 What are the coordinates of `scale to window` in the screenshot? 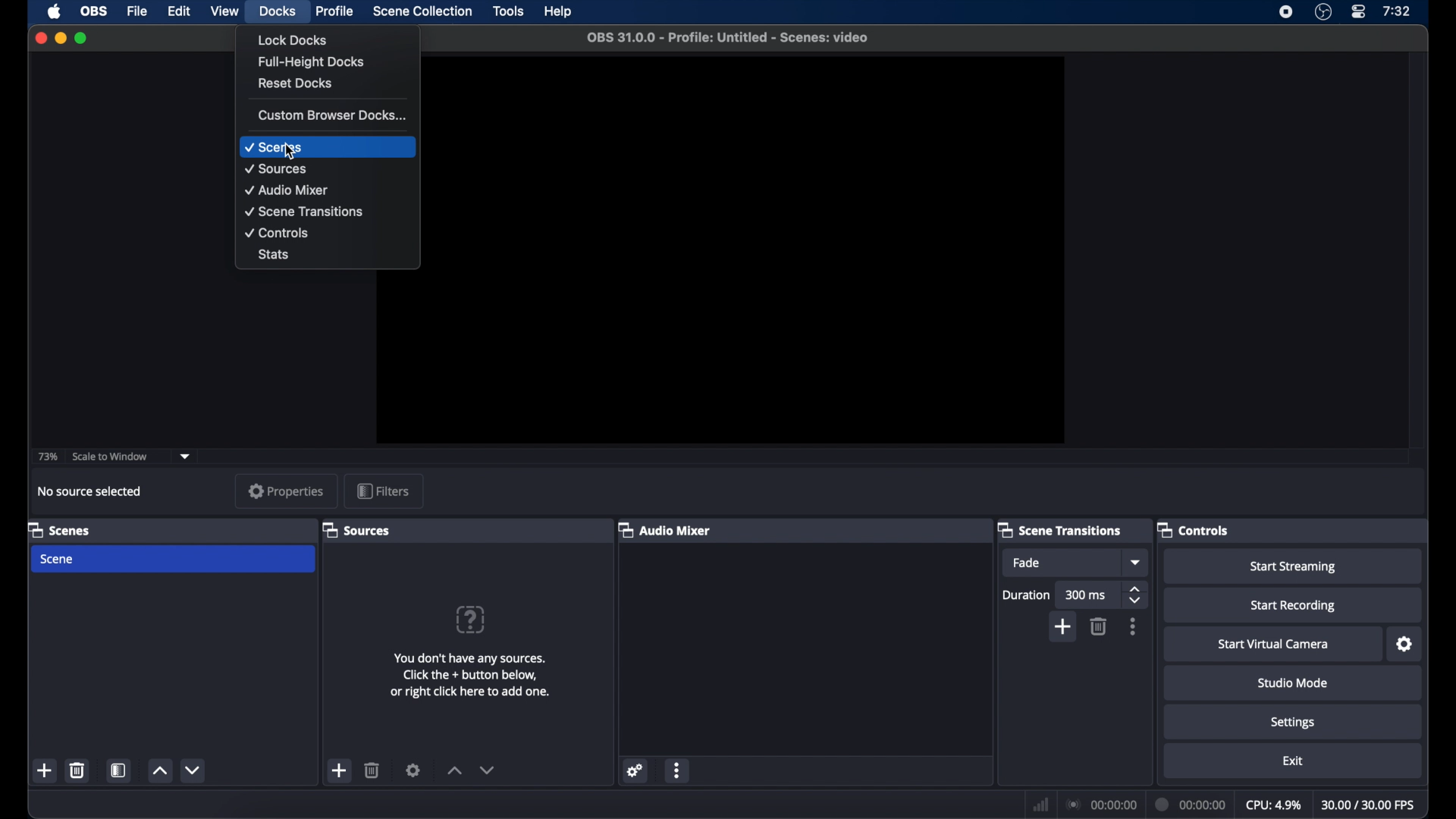 It's located at (110, 456).